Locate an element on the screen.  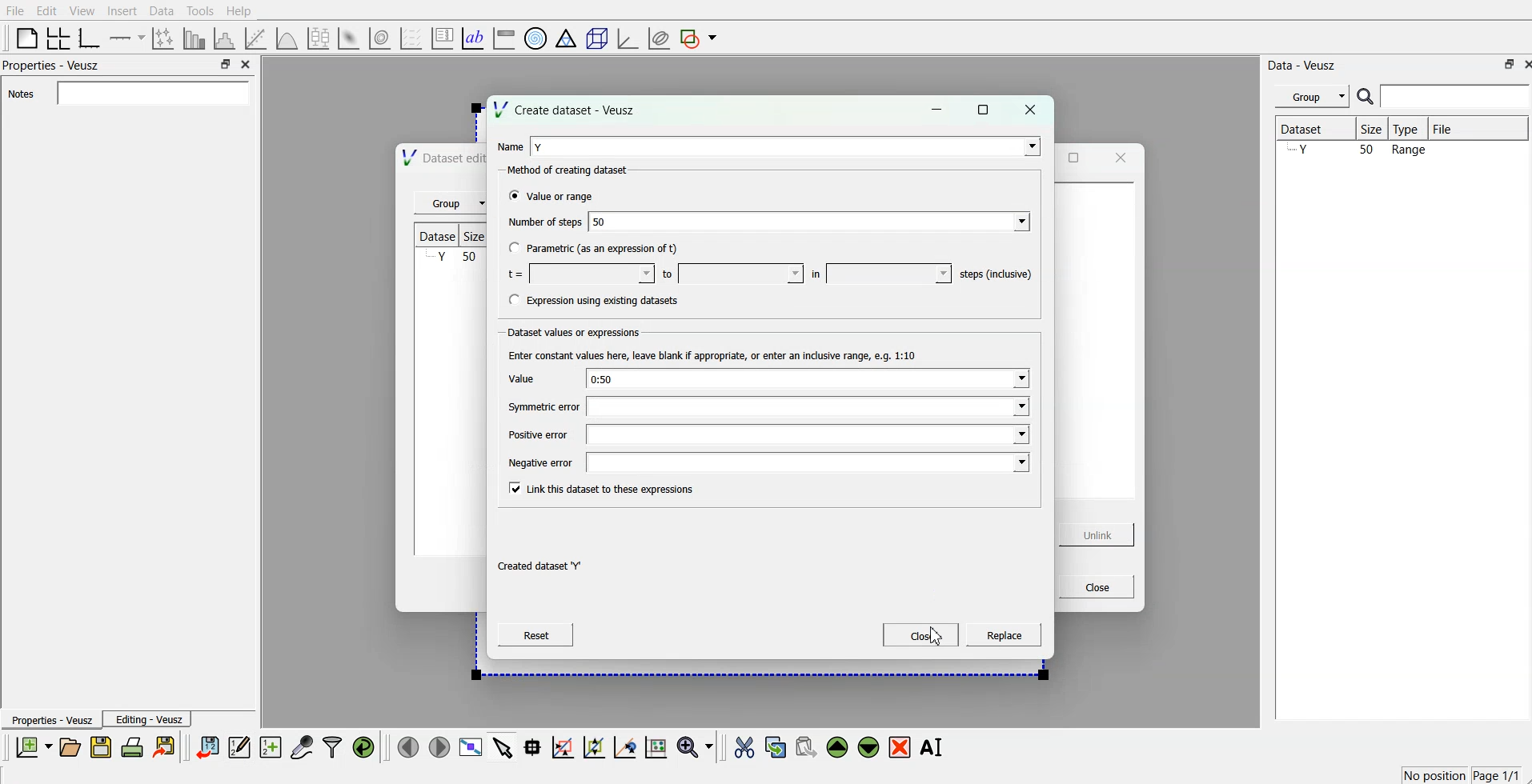
reset graph axes is located at coordinates (657, 750).